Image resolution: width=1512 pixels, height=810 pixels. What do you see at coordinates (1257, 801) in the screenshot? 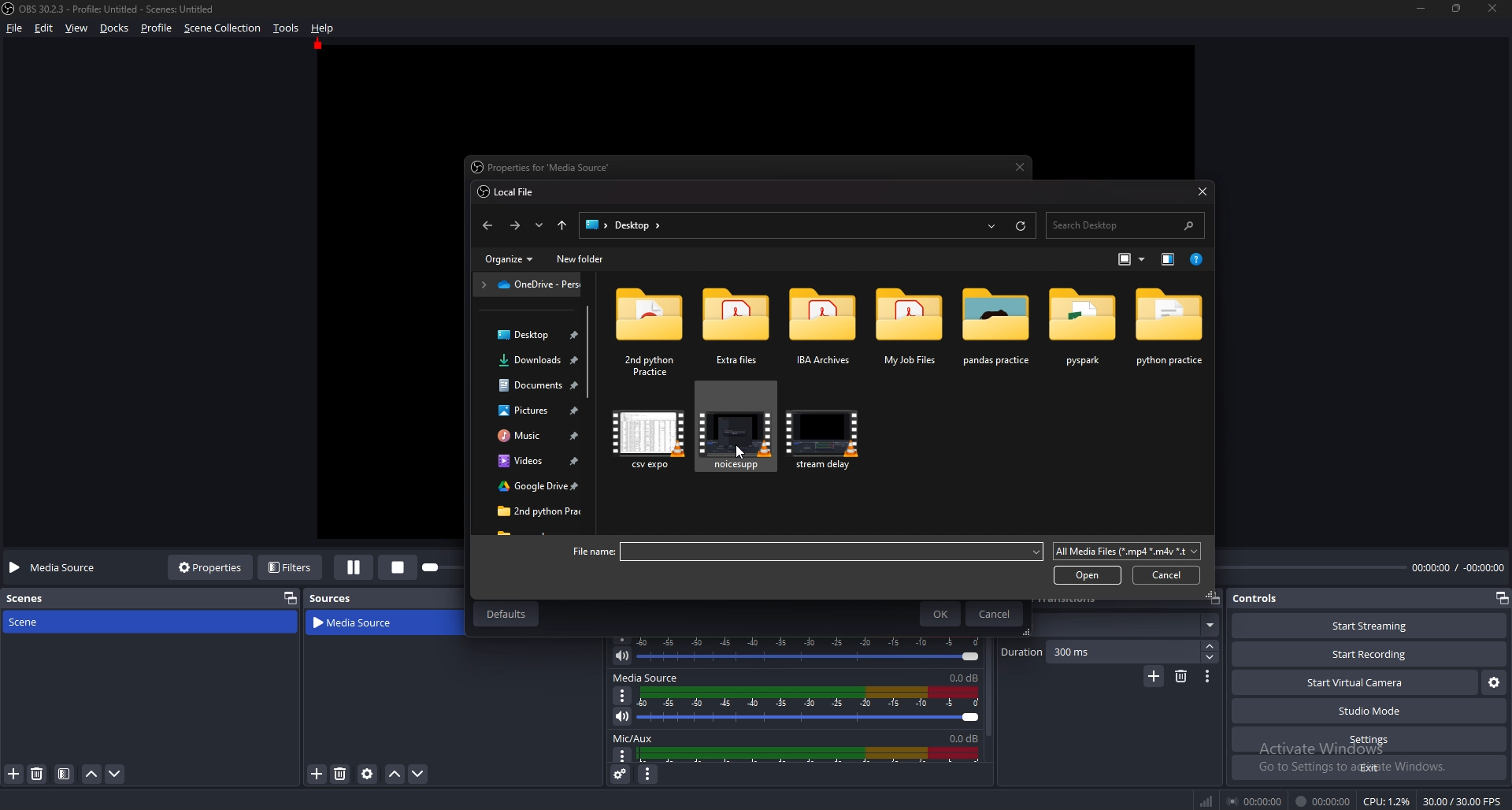
I see `00:00:00` at bounding box center [1257, 801].